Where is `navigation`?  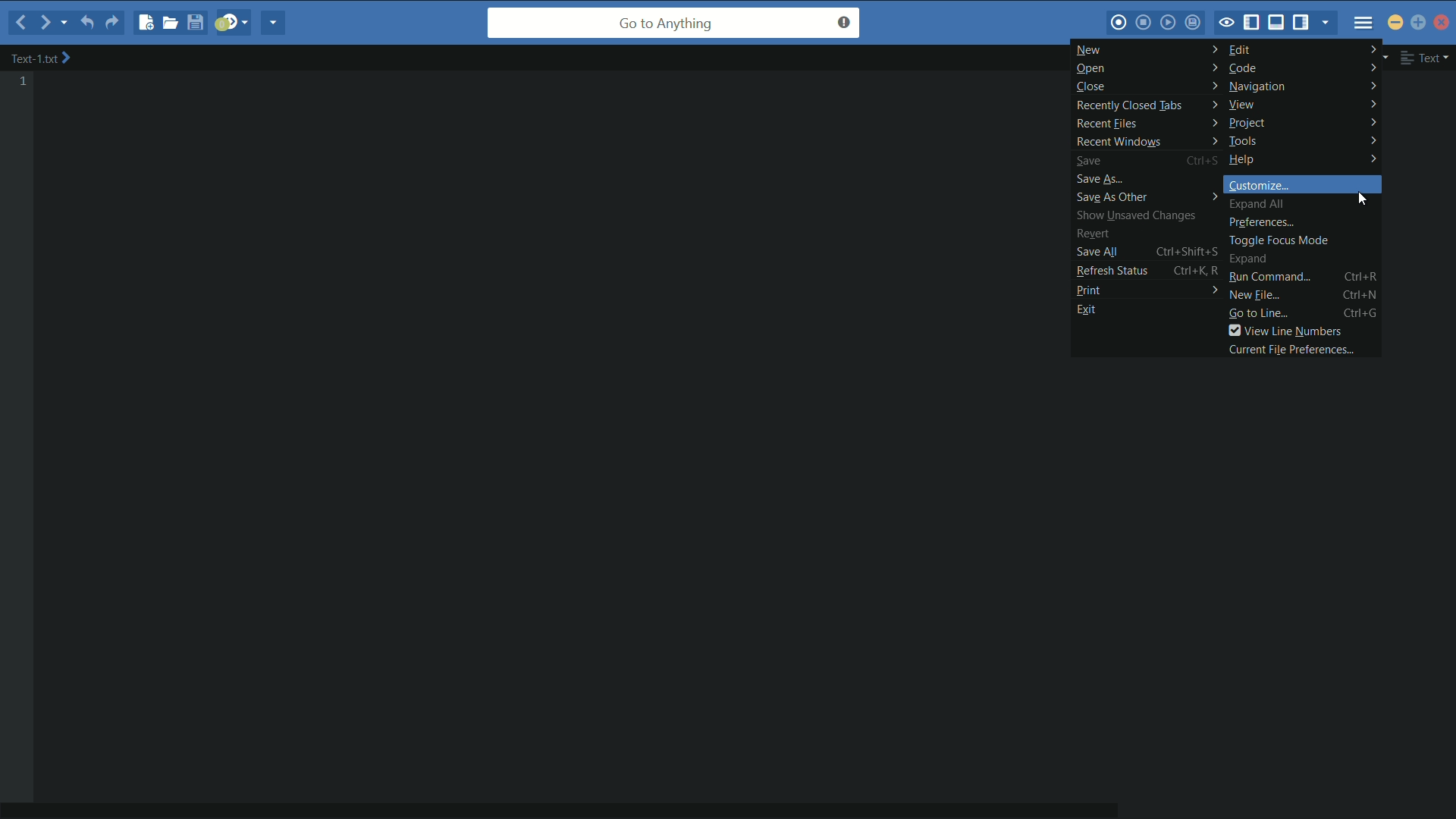 navigation is located at coordinates (1300, 87).